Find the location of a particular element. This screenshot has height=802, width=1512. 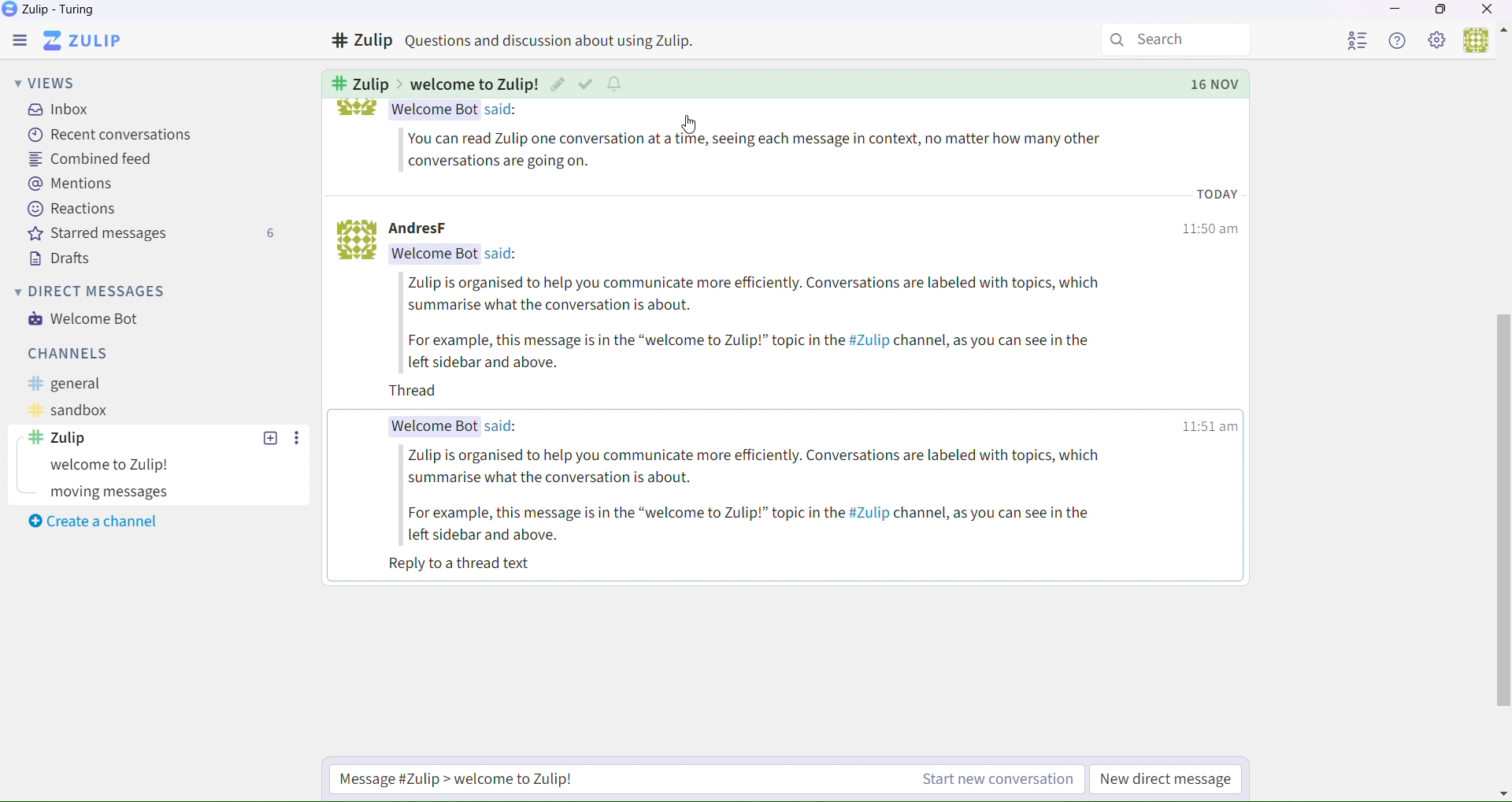

Direct messages is located at coordinates (93, 292).